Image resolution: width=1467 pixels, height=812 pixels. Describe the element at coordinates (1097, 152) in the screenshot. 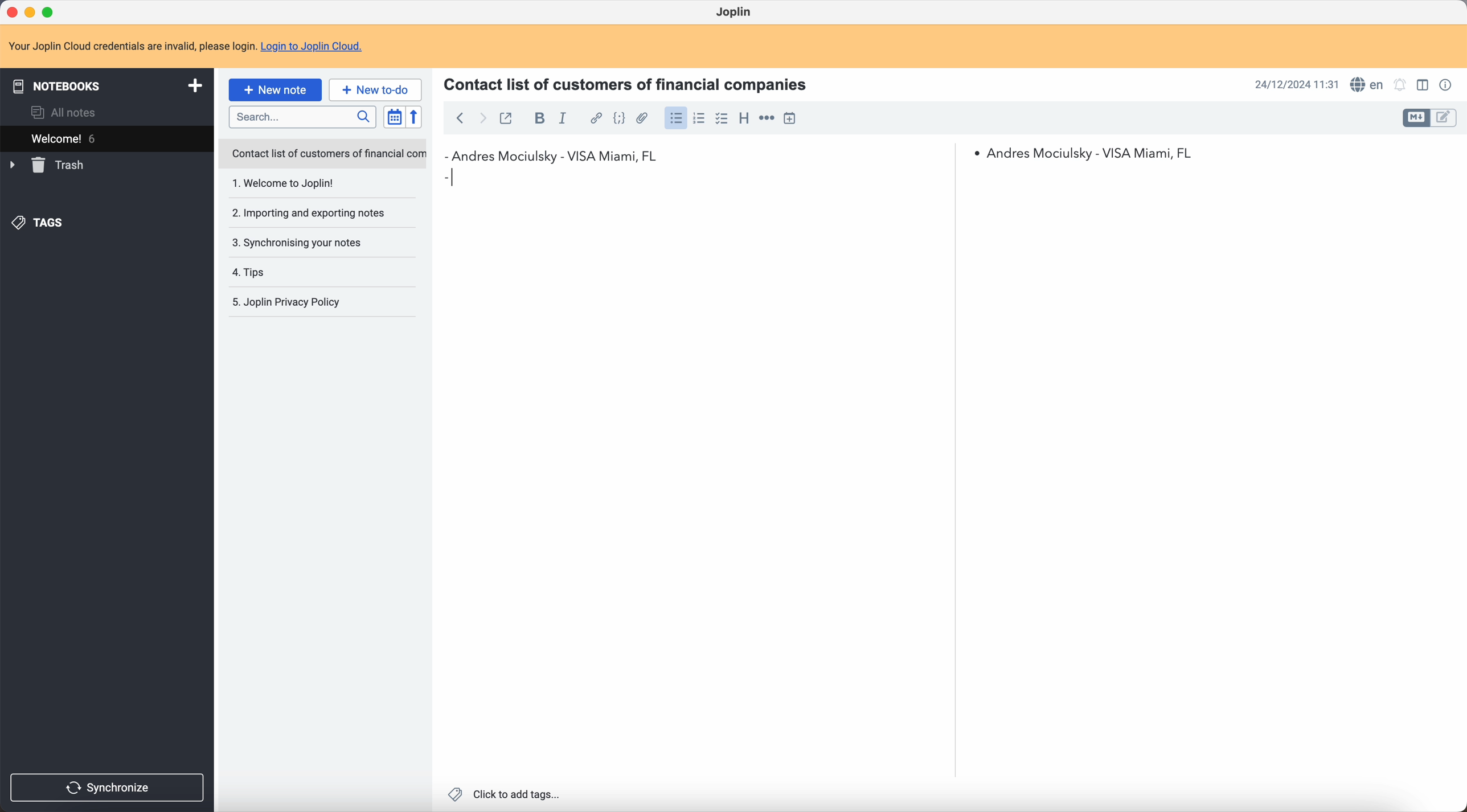

I see `Andres Mociulsky - VISA Miami, FL` at that location.